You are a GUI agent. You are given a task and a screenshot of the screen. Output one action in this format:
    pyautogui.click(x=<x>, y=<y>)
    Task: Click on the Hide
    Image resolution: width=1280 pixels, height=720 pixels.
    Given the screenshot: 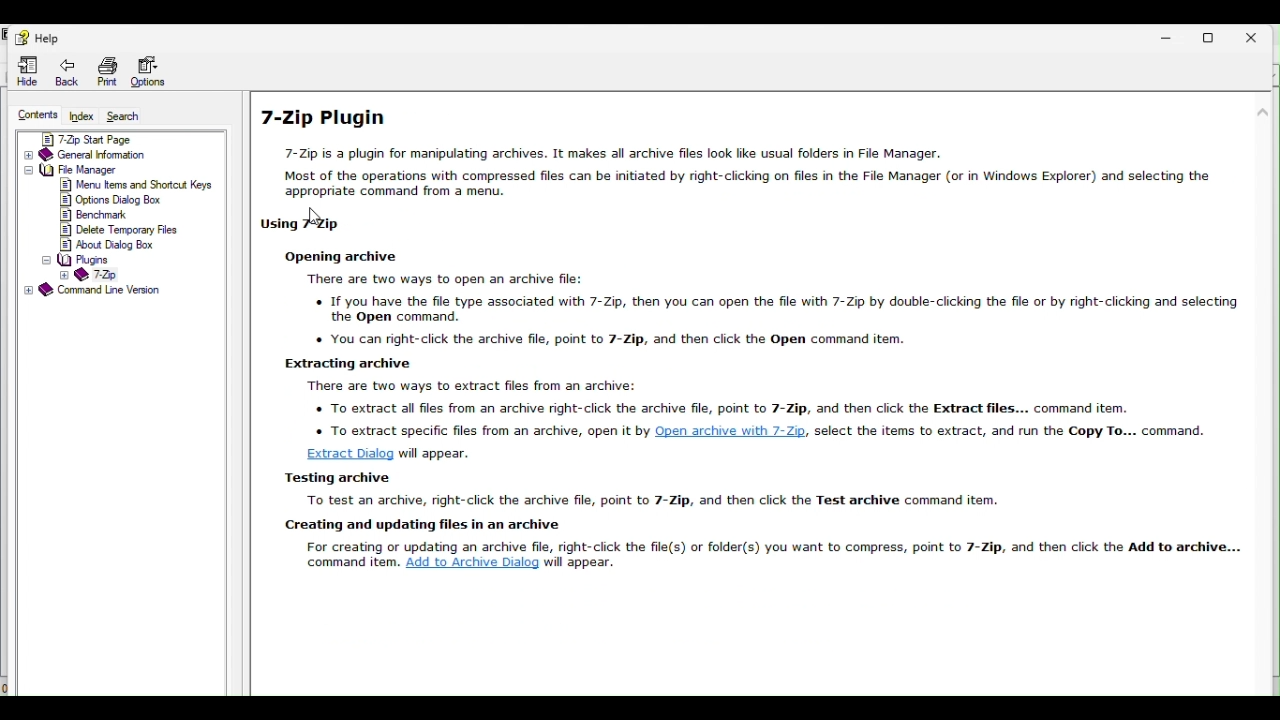 What is the action you would take?
    pyautogui.click(x=23, y=73)
    